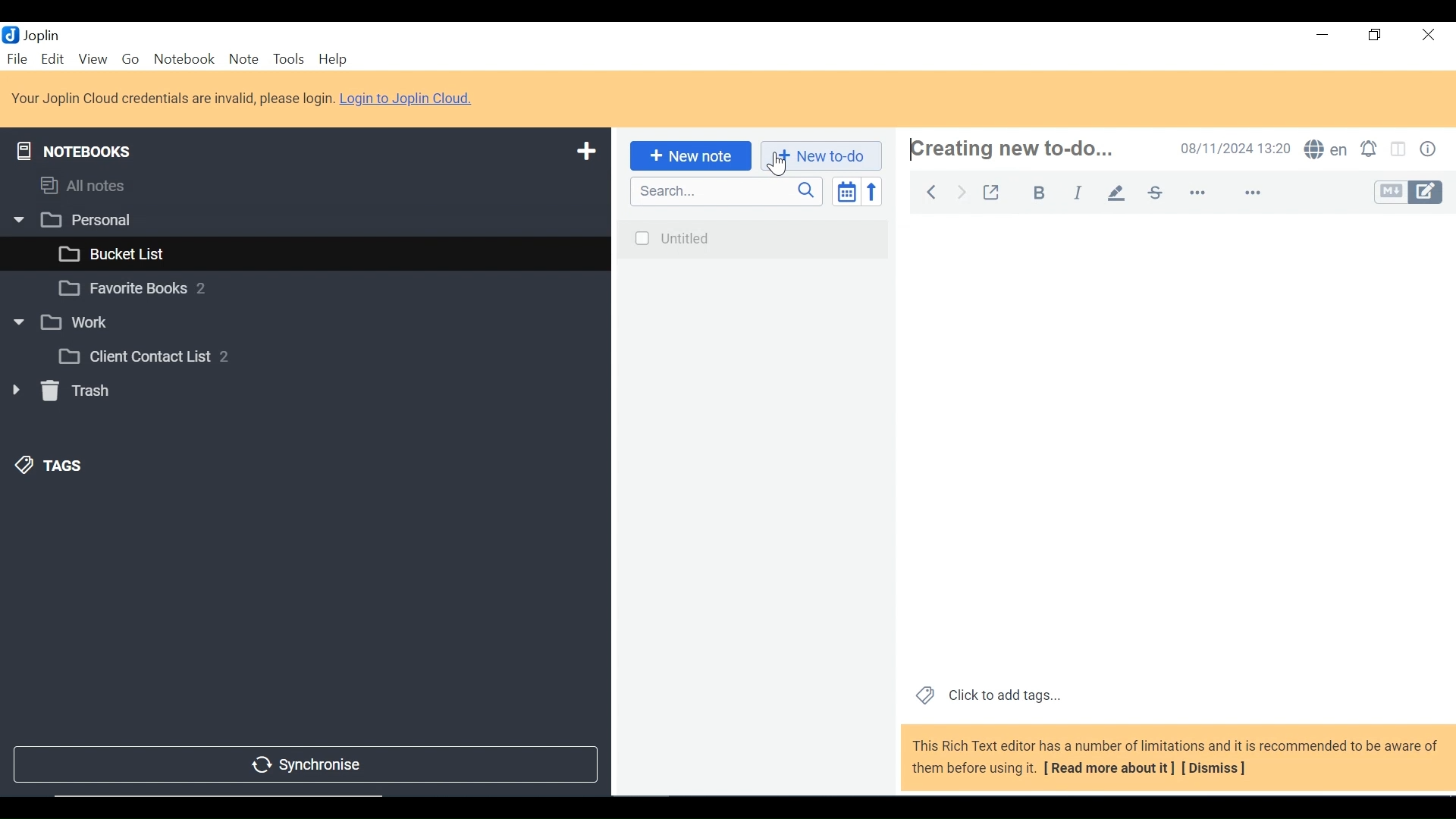  Describe the element at coordinates (727, 191) in the screenshot. I see `SEARCH` at that location.